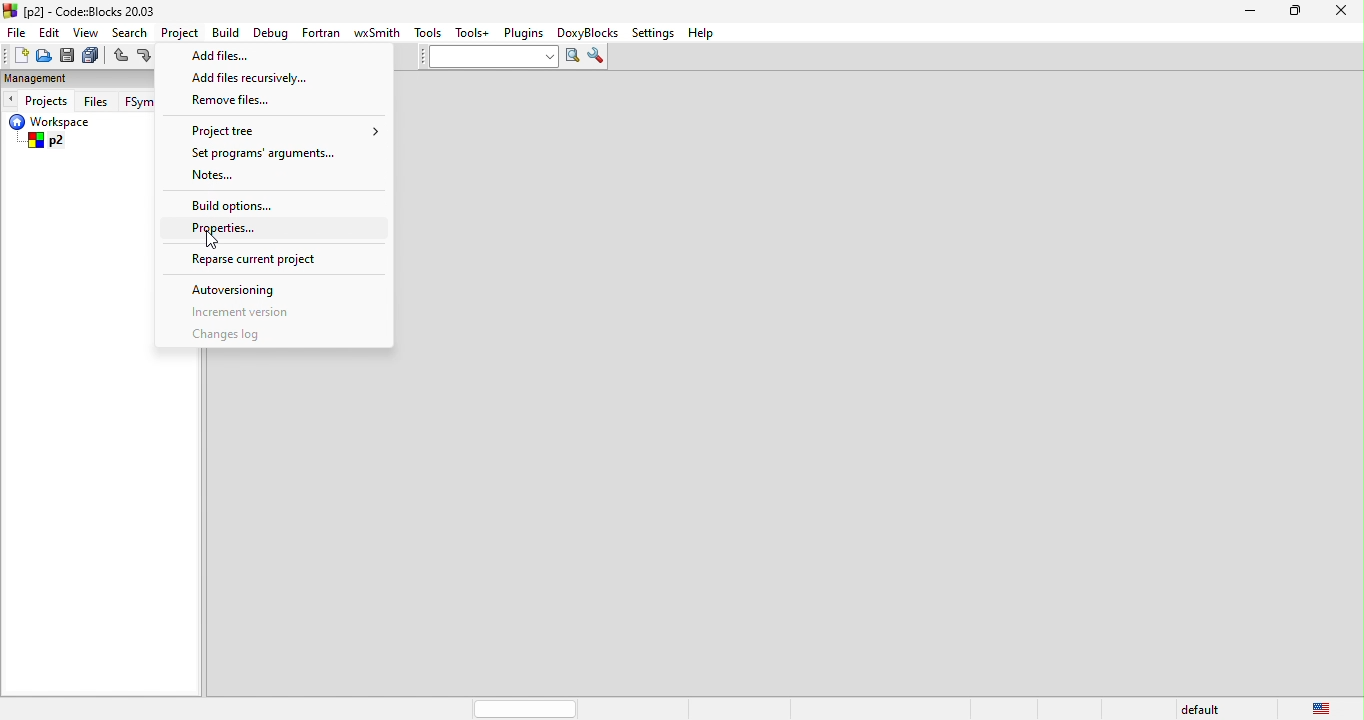  What do you see at coordinates (240, 57) in the screenshot?
I see `add files` at bounding box center [240, 57].